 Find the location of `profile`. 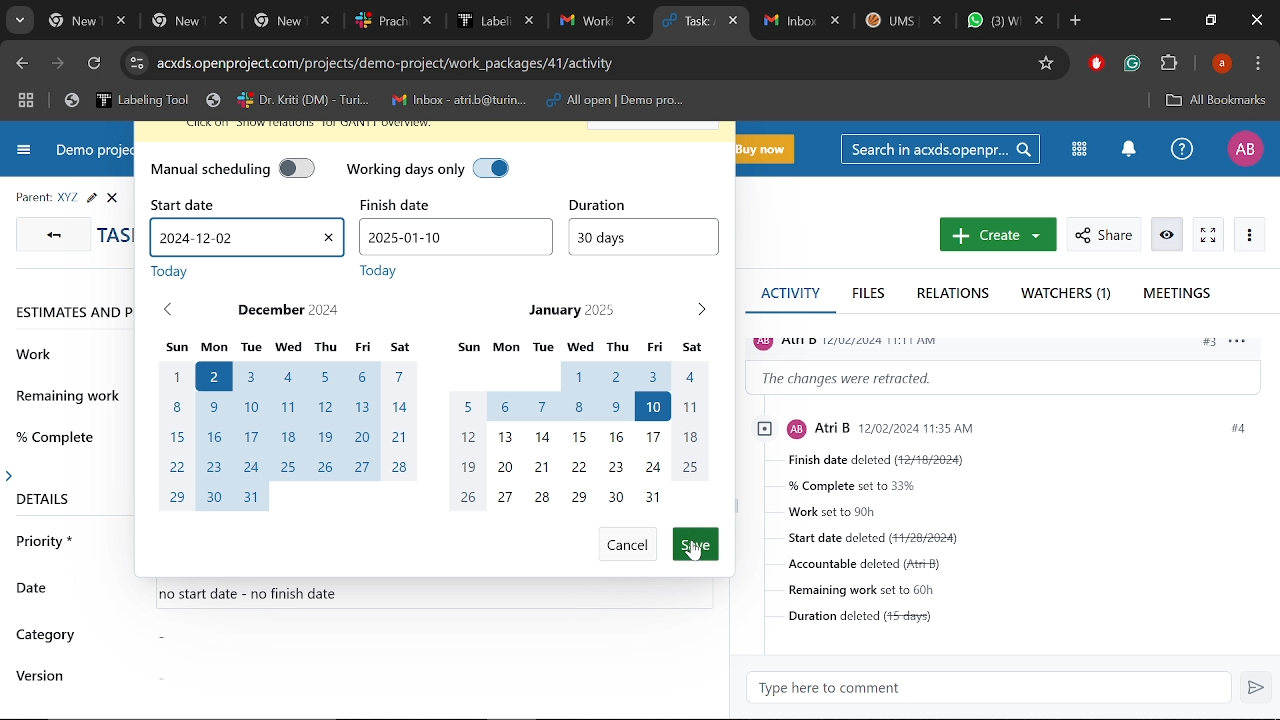

profile is located at coordinates (956, 427).